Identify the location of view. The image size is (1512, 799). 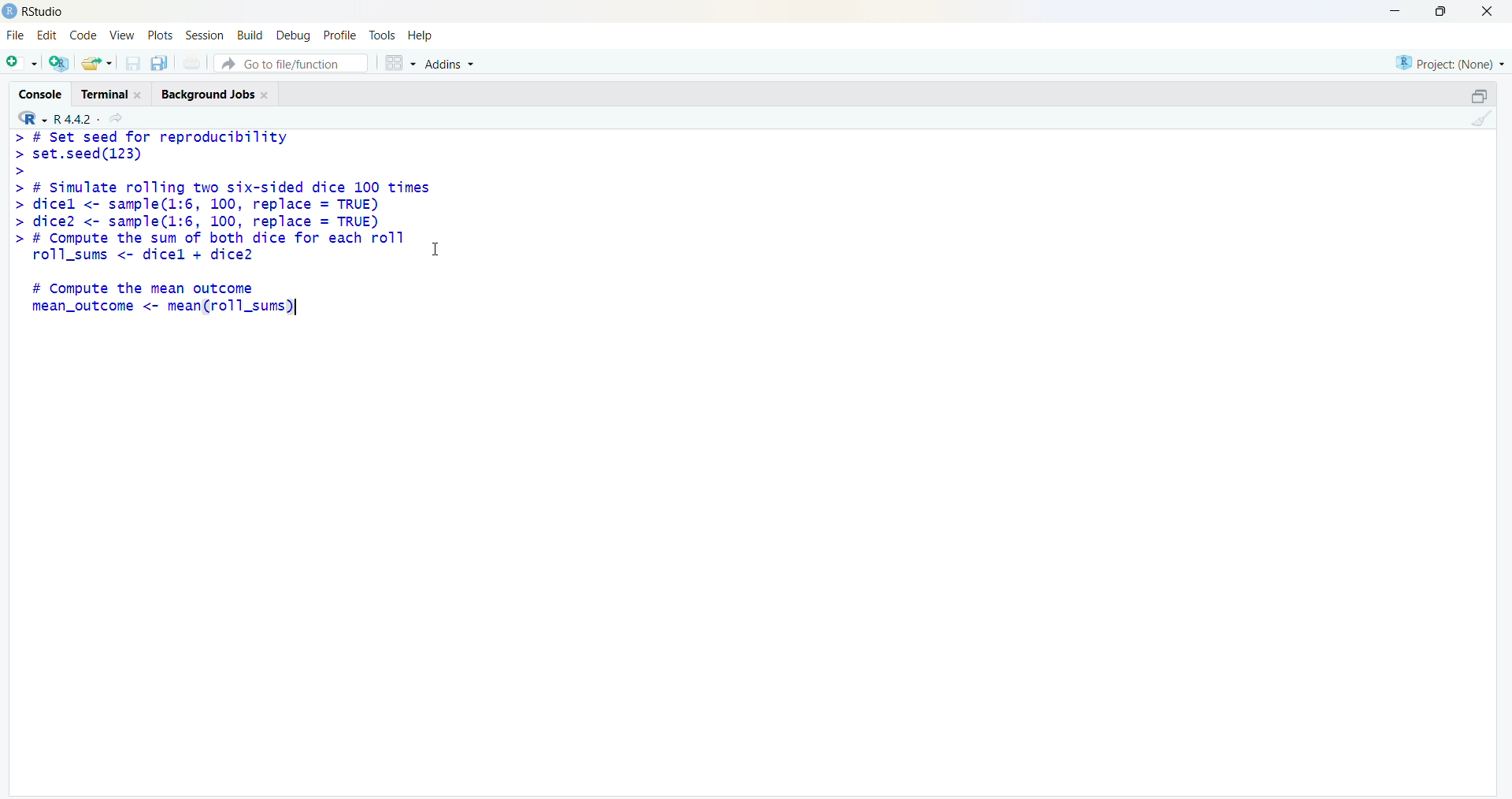
(122, 35).